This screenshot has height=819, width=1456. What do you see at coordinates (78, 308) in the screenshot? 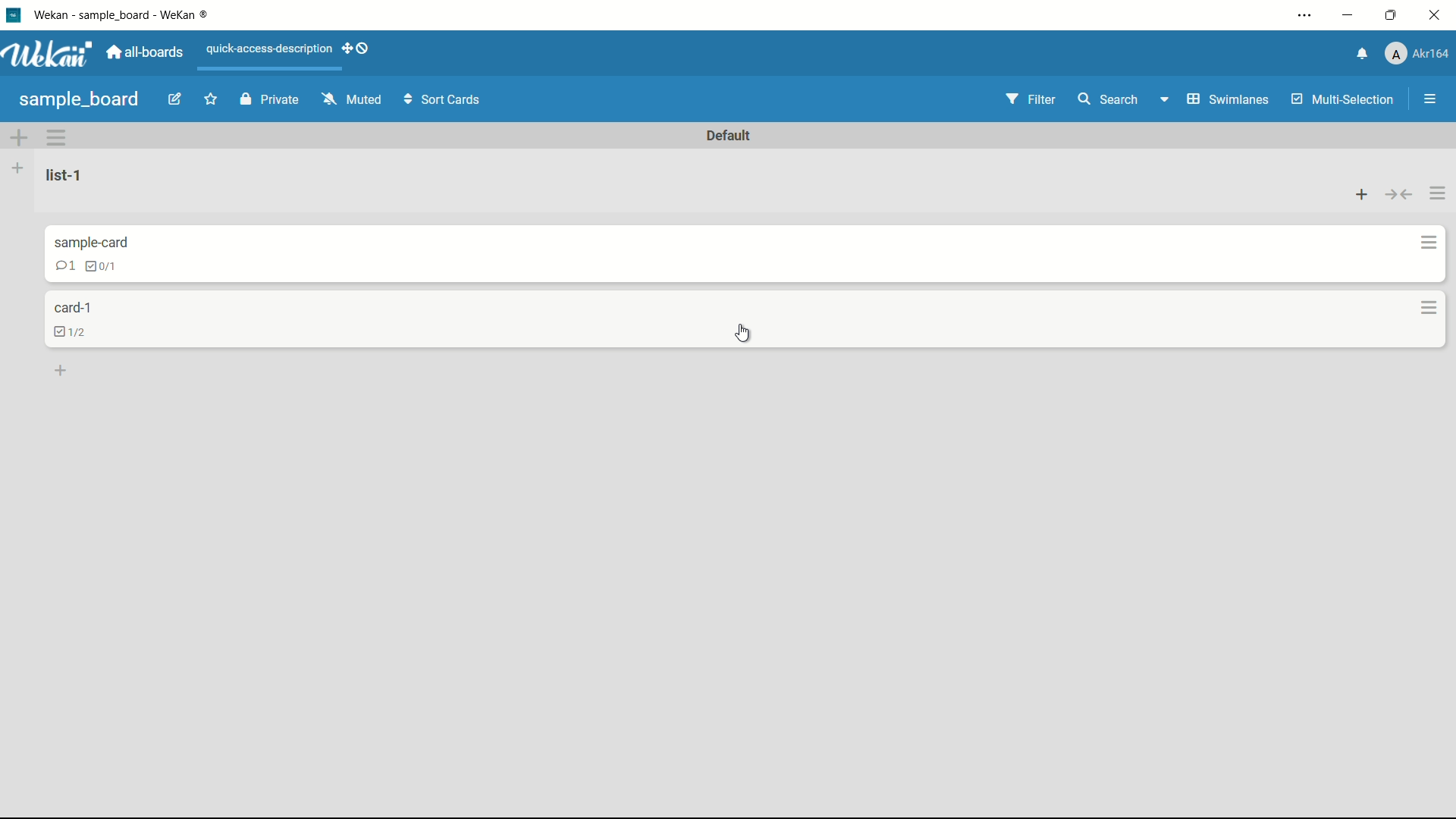
I see `card name` at bounding box center [78, 308].